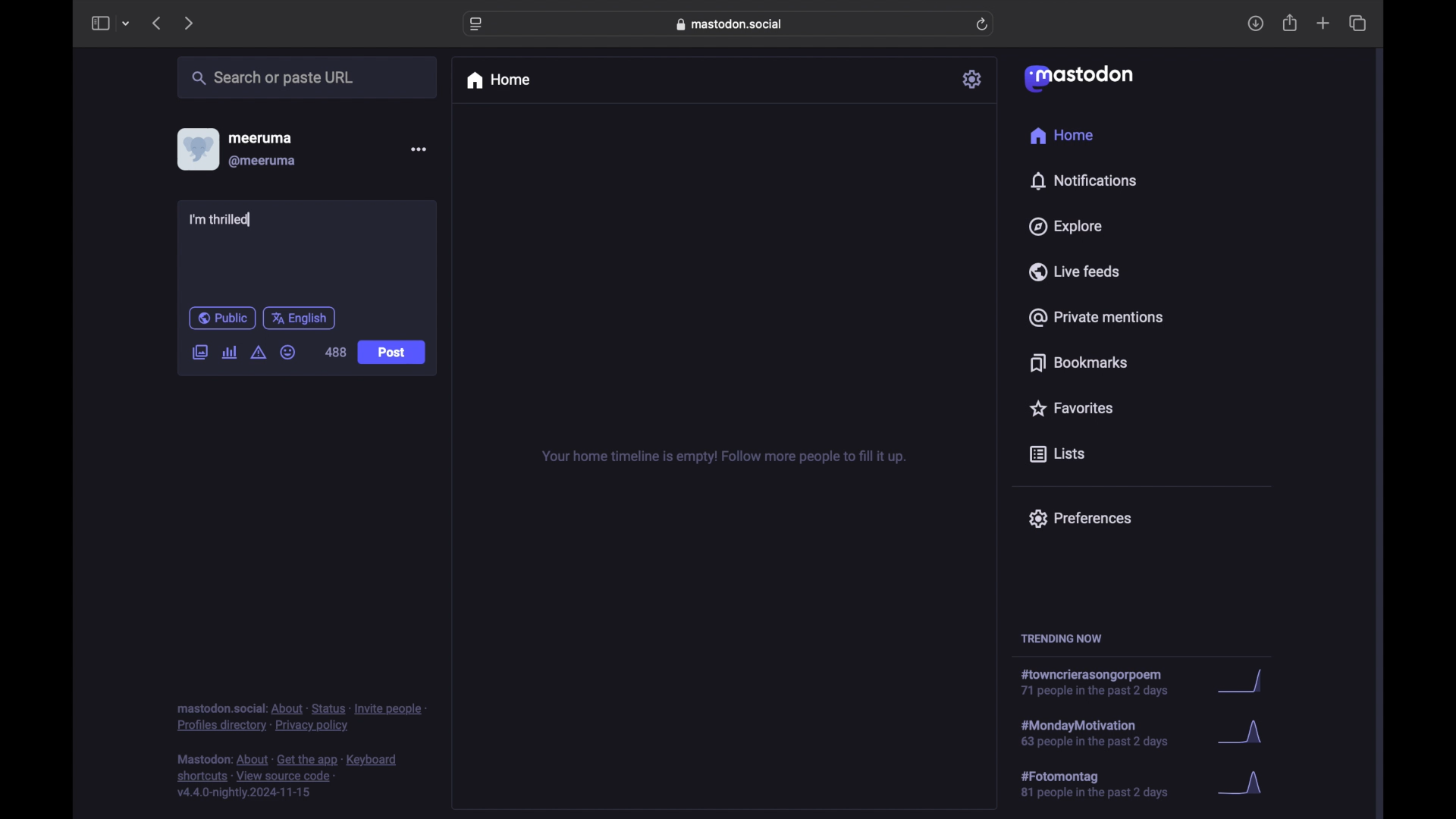 Image resolution: width=1456 pixels, height=819 pixels. Describe the element at coordinates (99, 23) in the screenshot. I see `side bar` at that location.